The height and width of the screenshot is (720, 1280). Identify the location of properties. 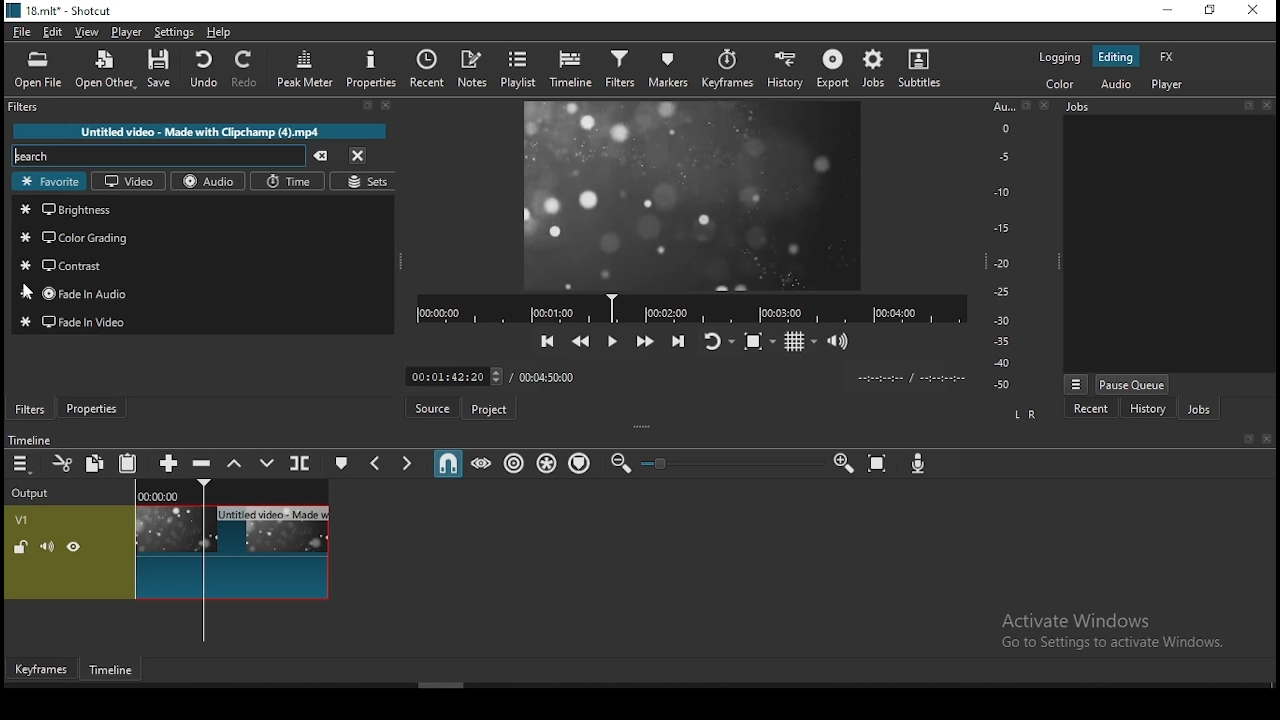
(369, 69).